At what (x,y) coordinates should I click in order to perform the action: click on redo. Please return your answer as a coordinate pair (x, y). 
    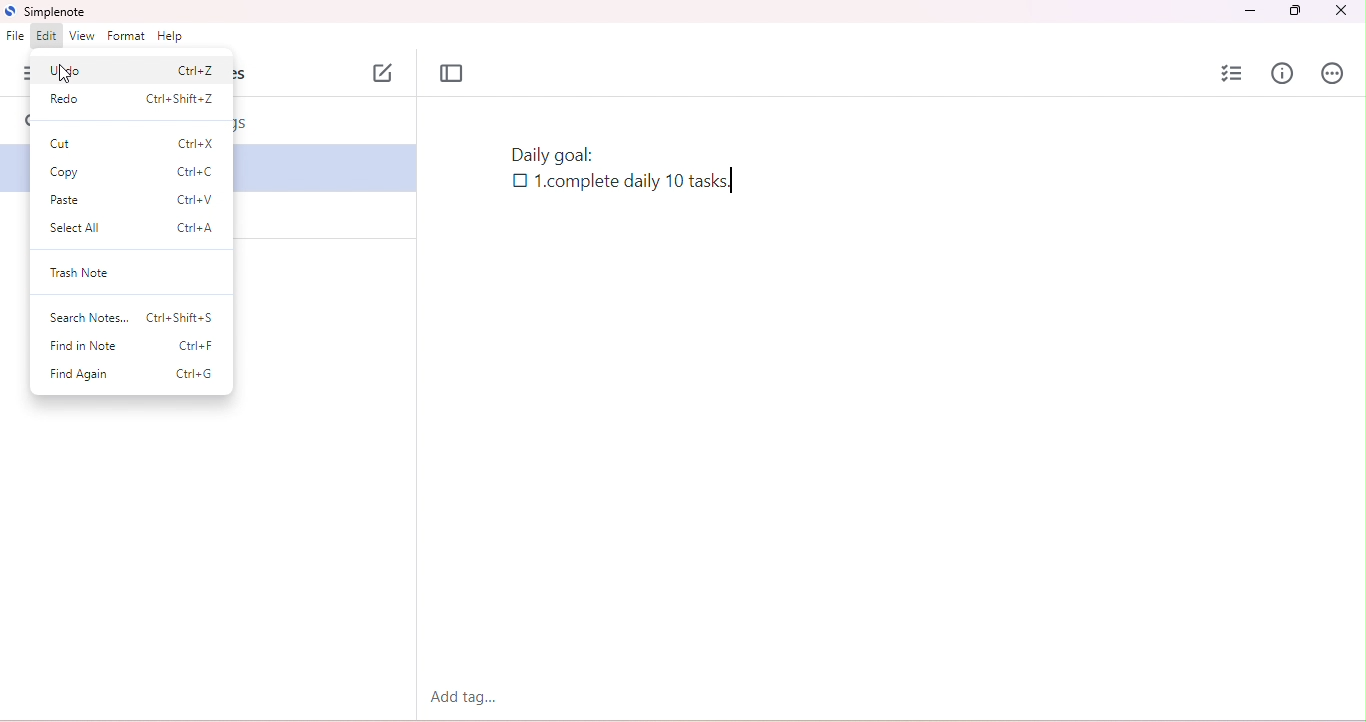
    Looking at the image, I should click on (128, 100).